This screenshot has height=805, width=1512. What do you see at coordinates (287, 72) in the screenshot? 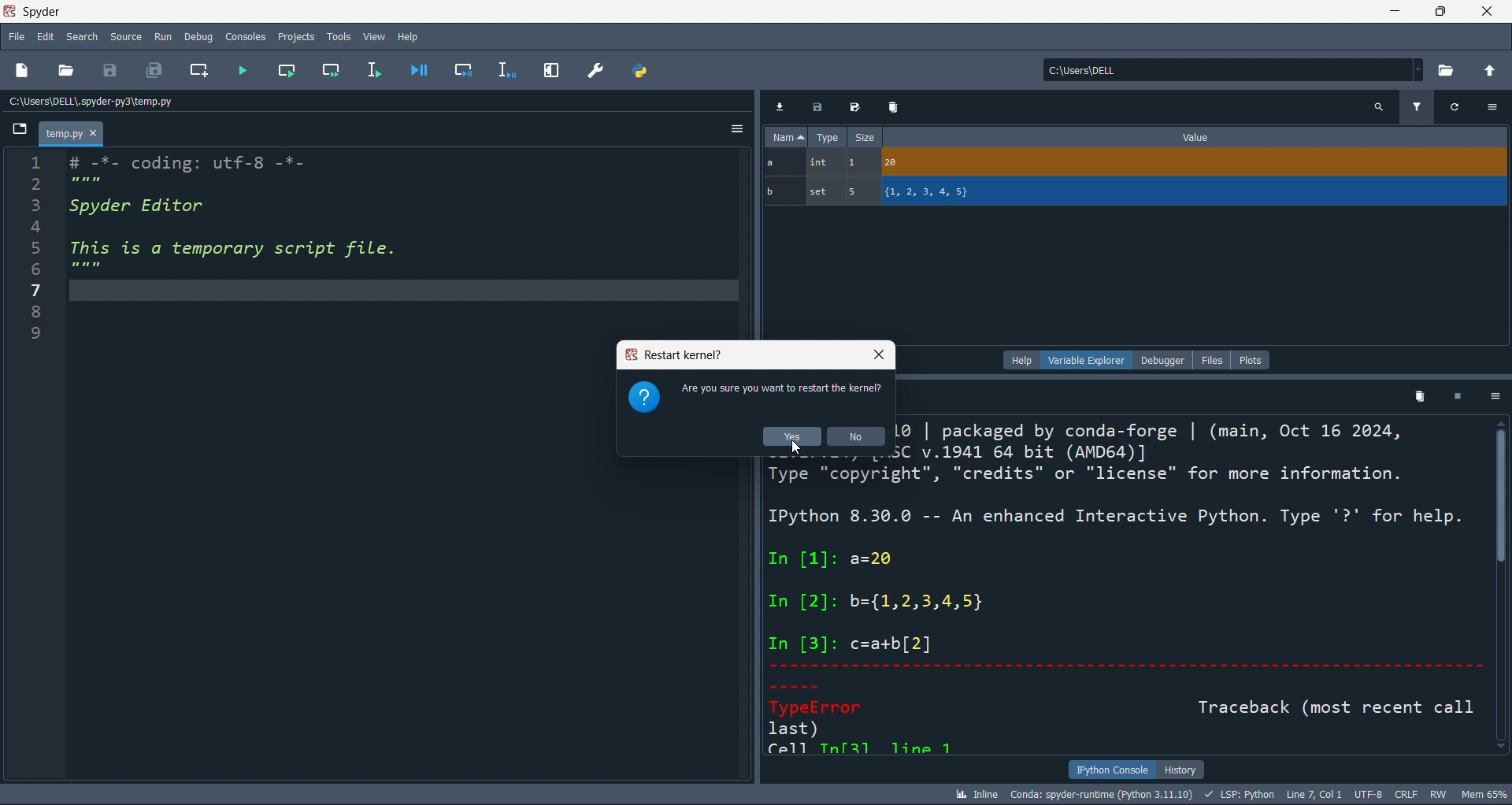
I see `run cell` at bounding box center [287, 72].